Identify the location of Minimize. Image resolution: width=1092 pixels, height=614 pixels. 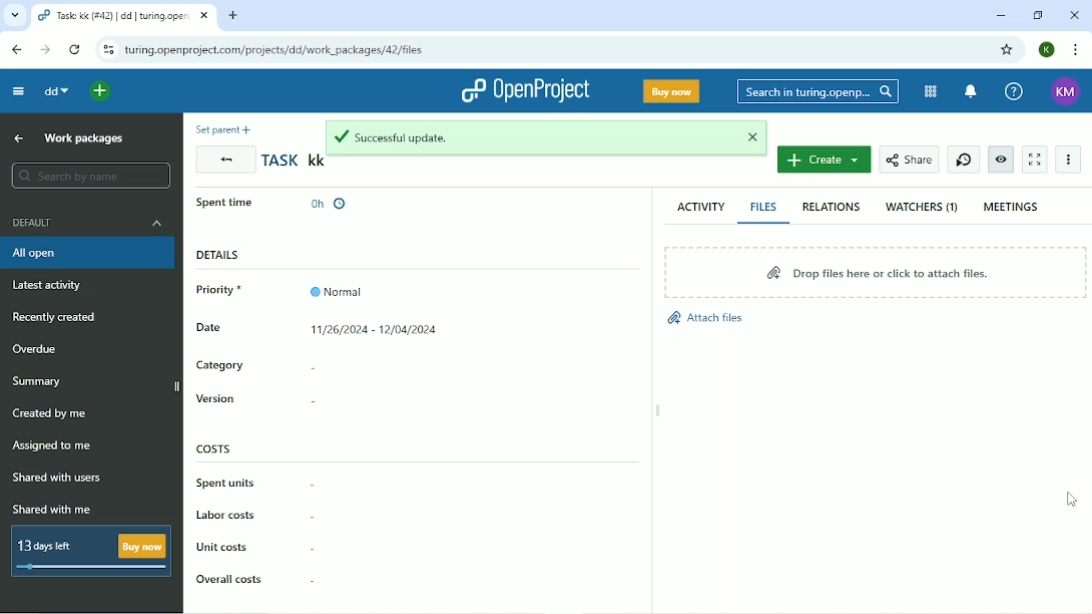
(997, 16).